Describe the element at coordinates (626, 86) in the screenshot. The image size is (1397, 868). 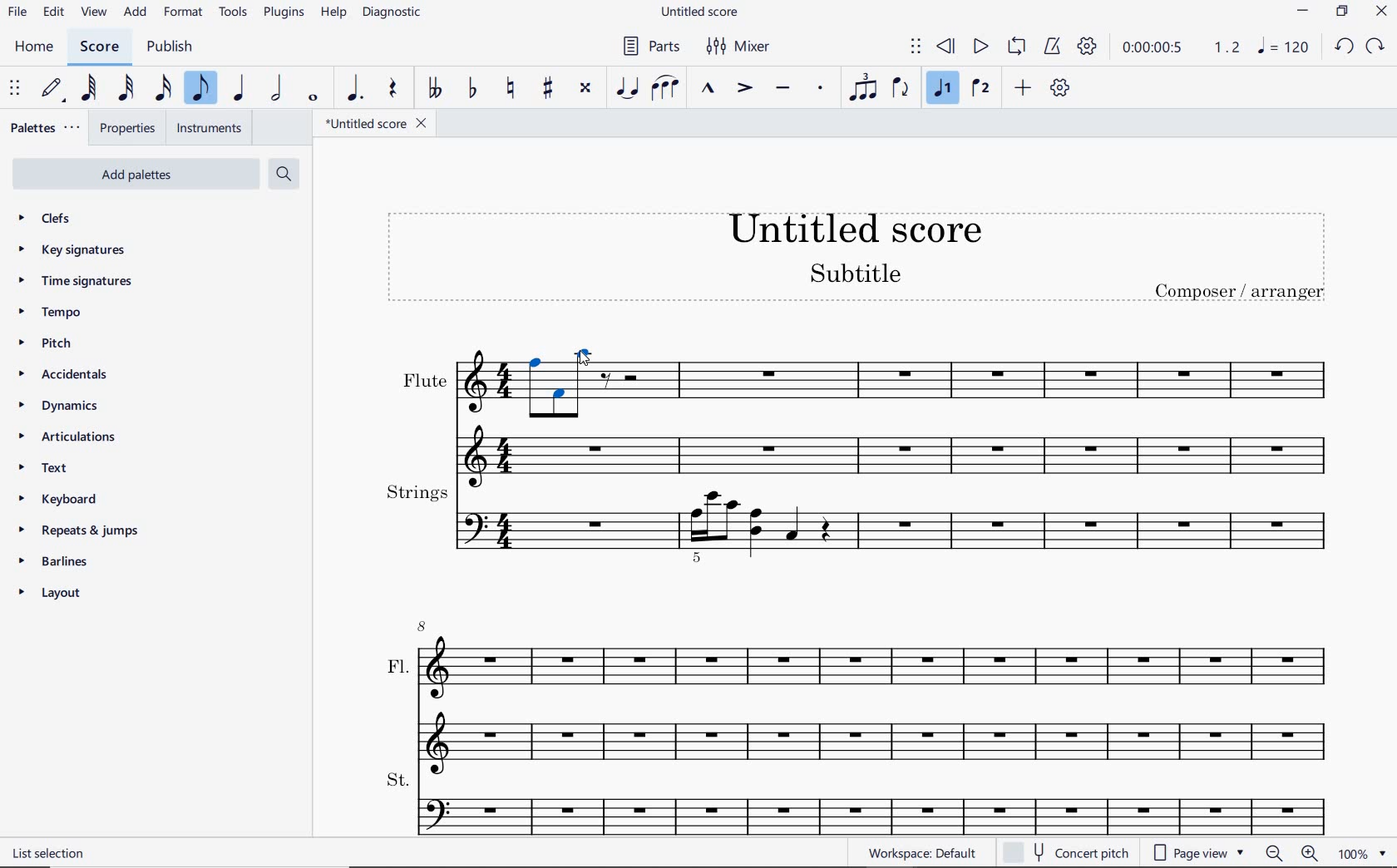
I see `TIE` at that location.